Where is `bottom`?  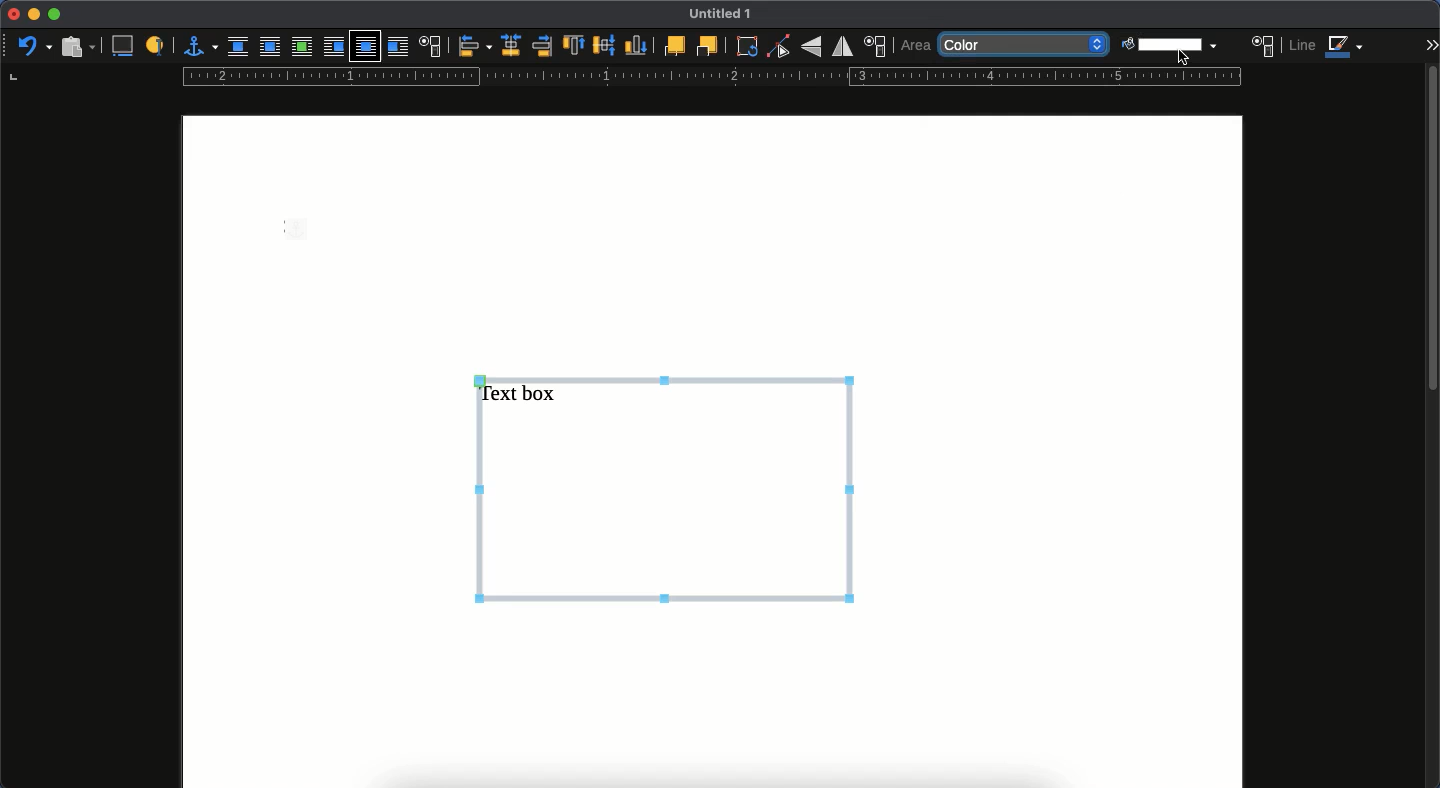
bottom is located at coordinates (637, 46).